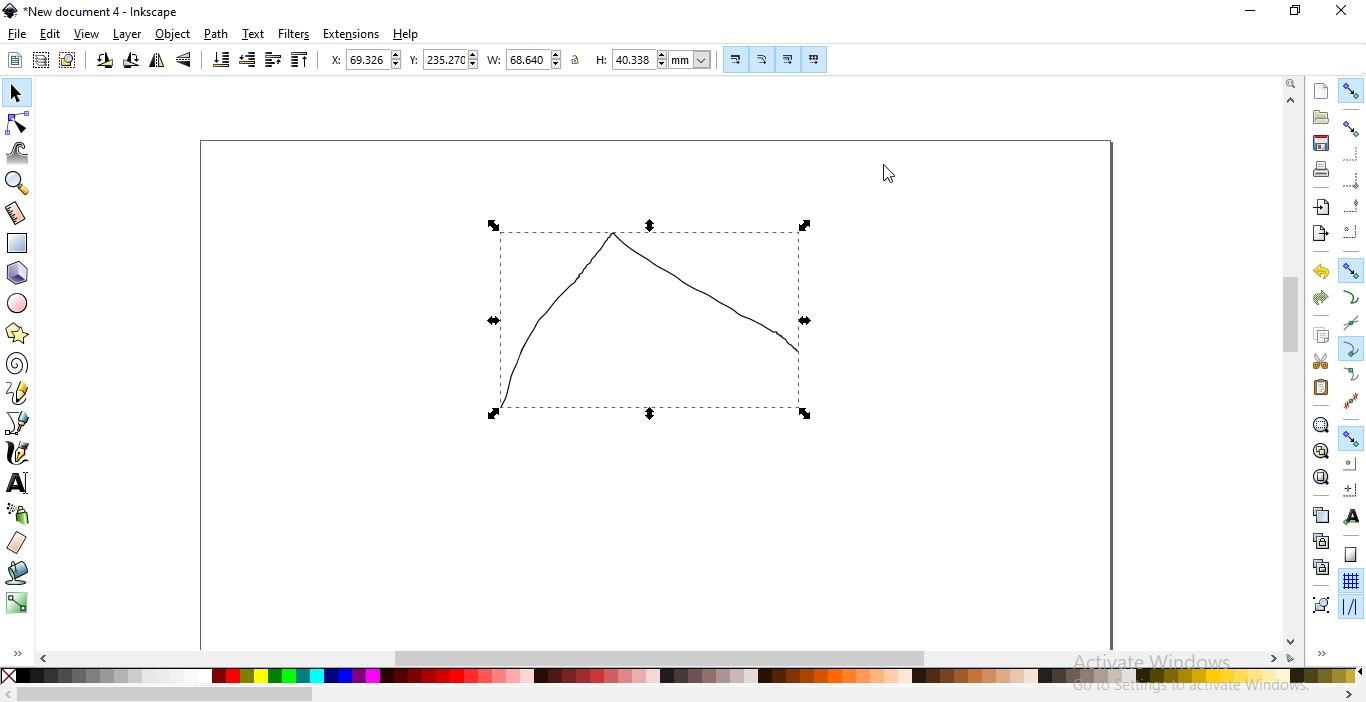  Describe the element at coordinates (15, 183) in the screenshot. I see `zoom in or out` at that location.